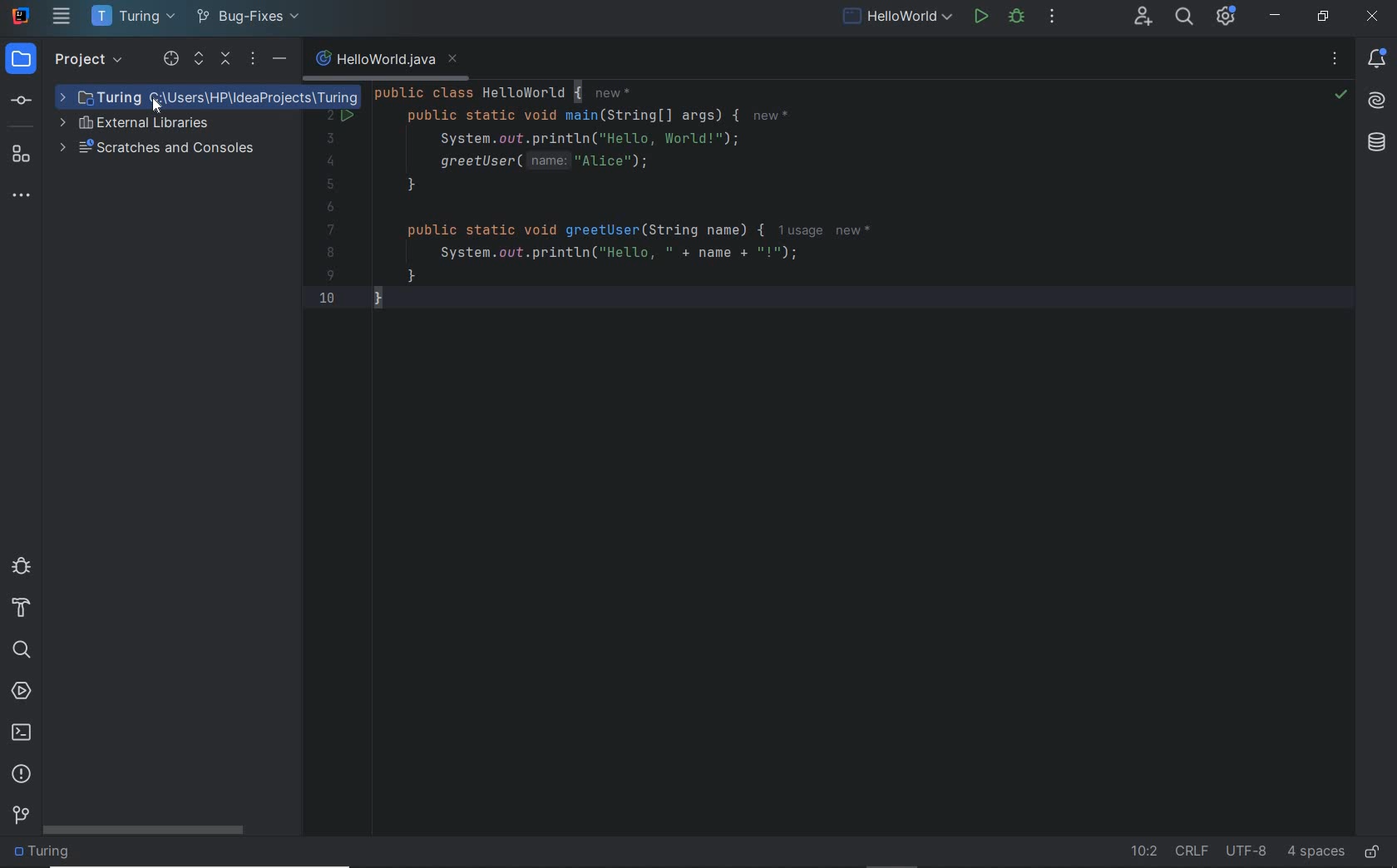 The image size is (1397, 868). I want to click on file encoding, so click(1247, 852).